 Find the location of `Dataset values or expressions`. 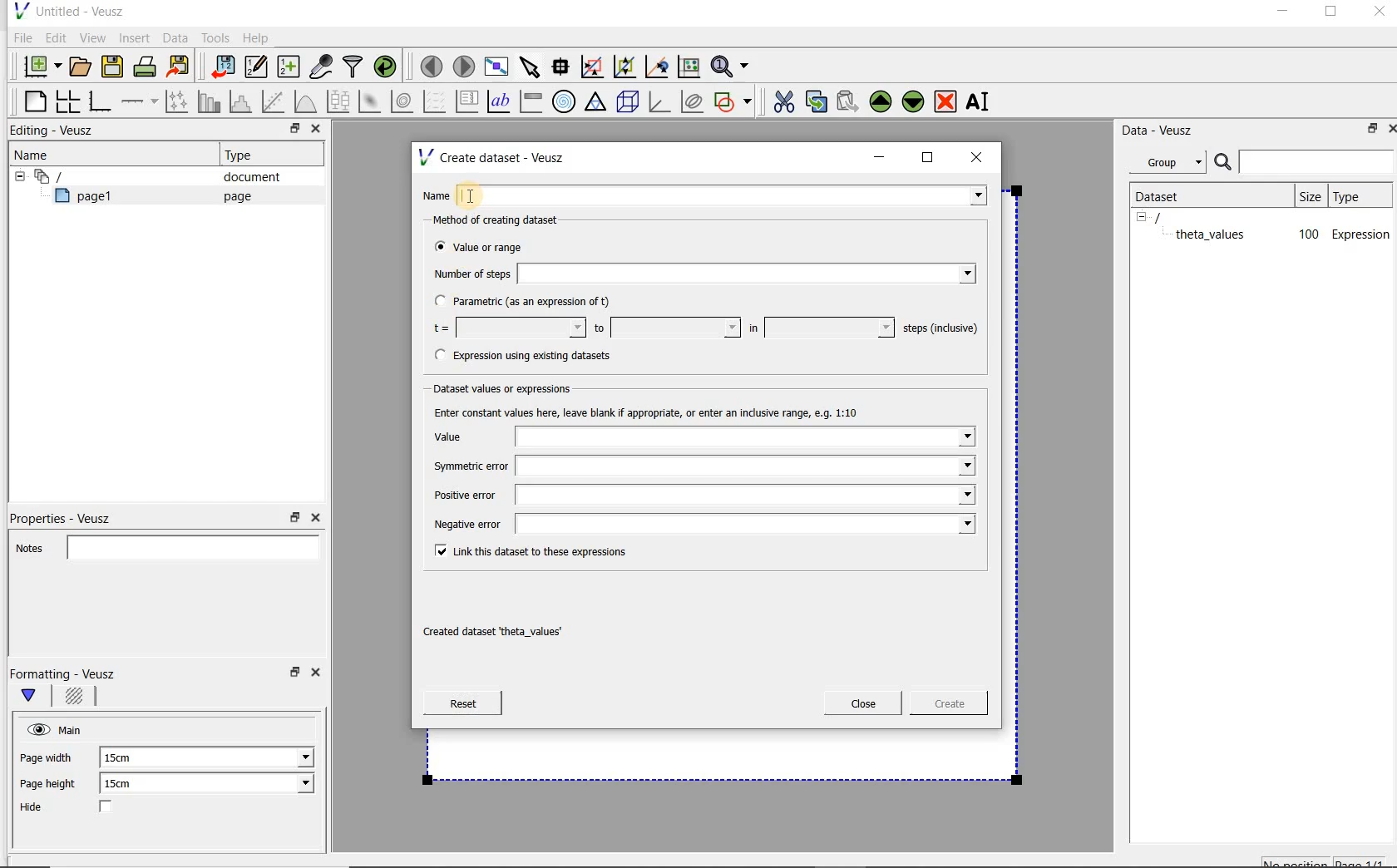

Dataset values or expressions is located at coordinates (512, 387).